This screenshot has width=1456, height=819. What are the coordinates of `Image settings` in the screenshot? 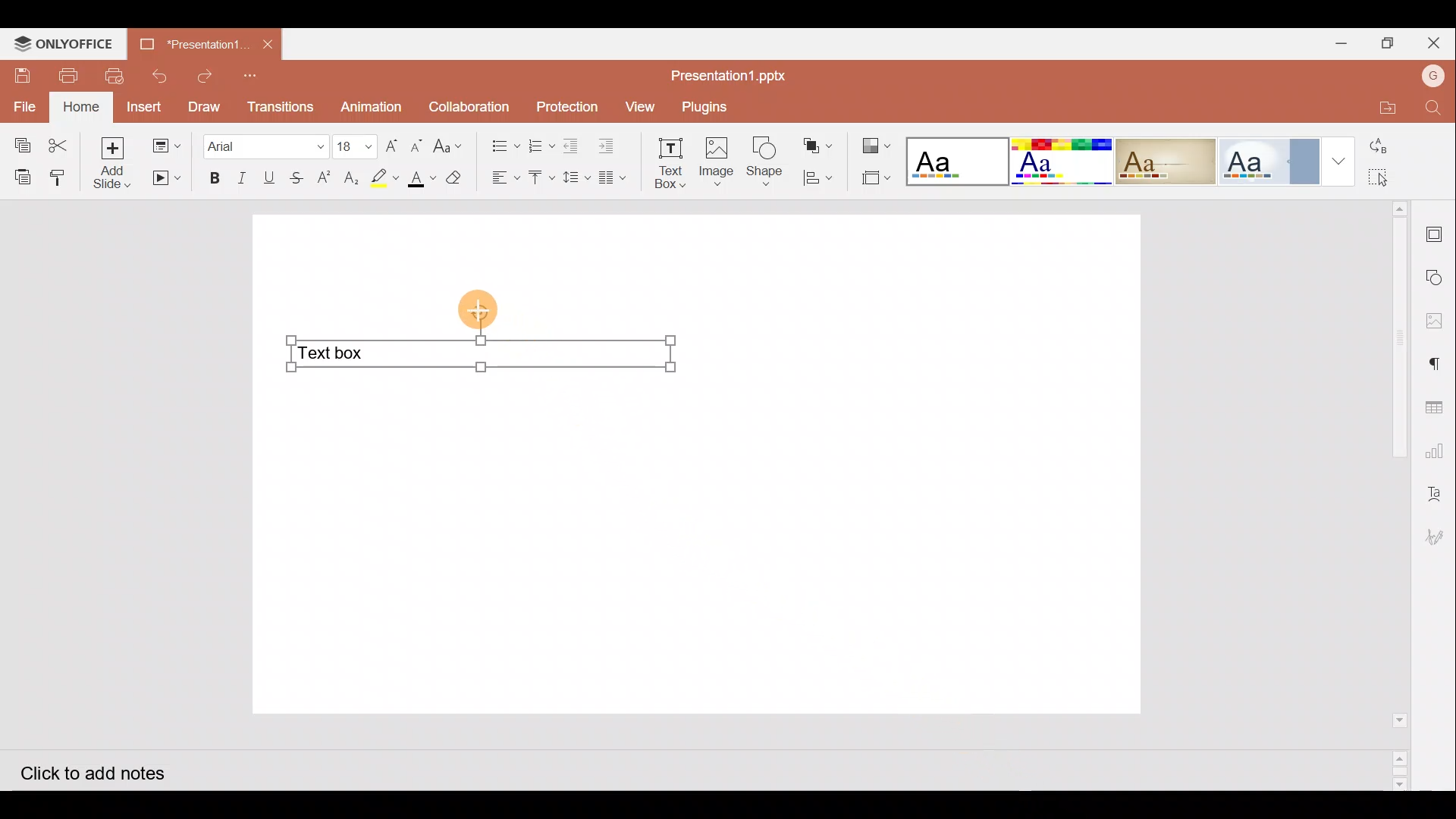 It's located at (1439, 321).